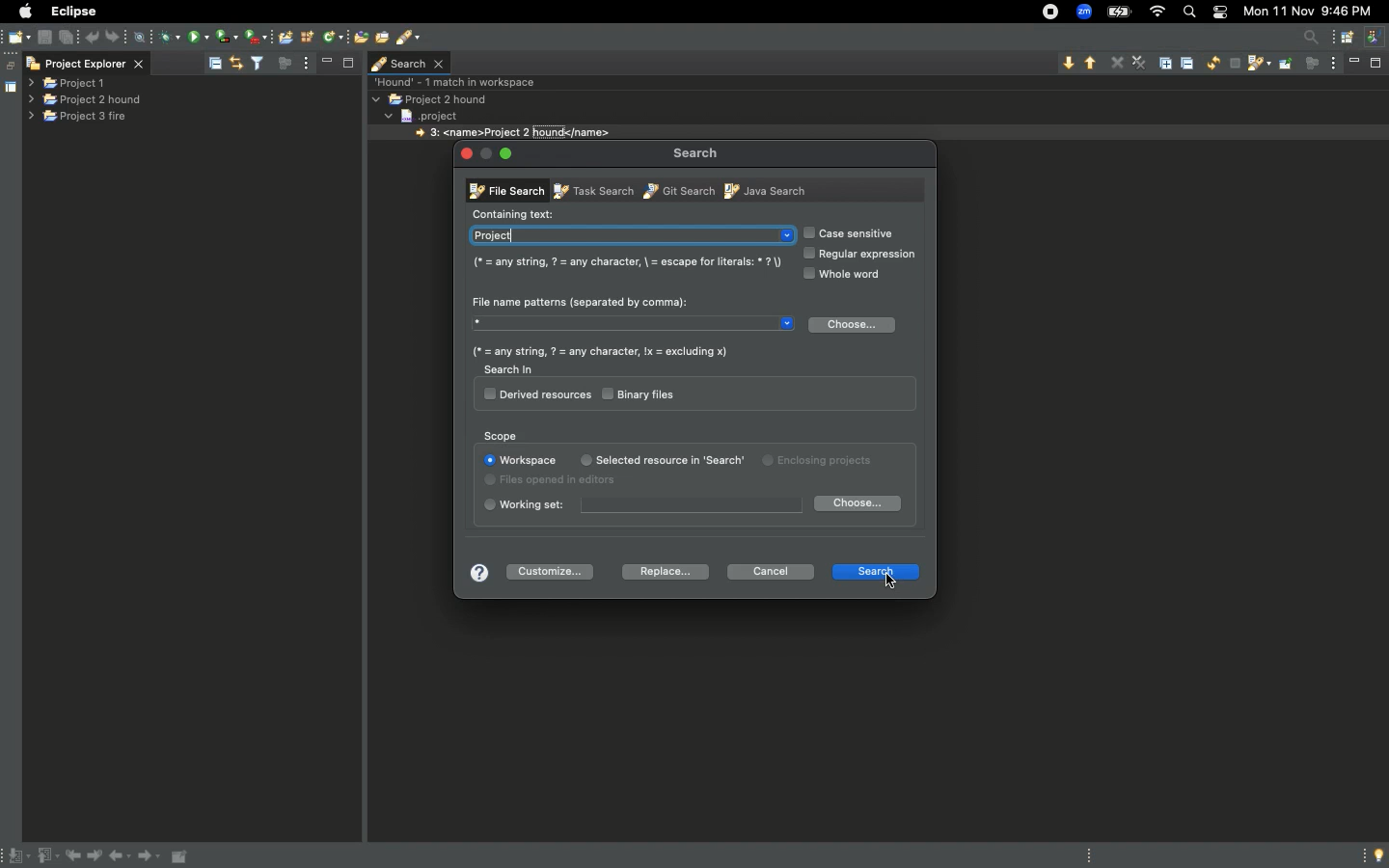 The image size is (1389, 868). What do you see at coordinates (171, 37) in the screenshot?
I see `debug` at bounding box center [171, 37].